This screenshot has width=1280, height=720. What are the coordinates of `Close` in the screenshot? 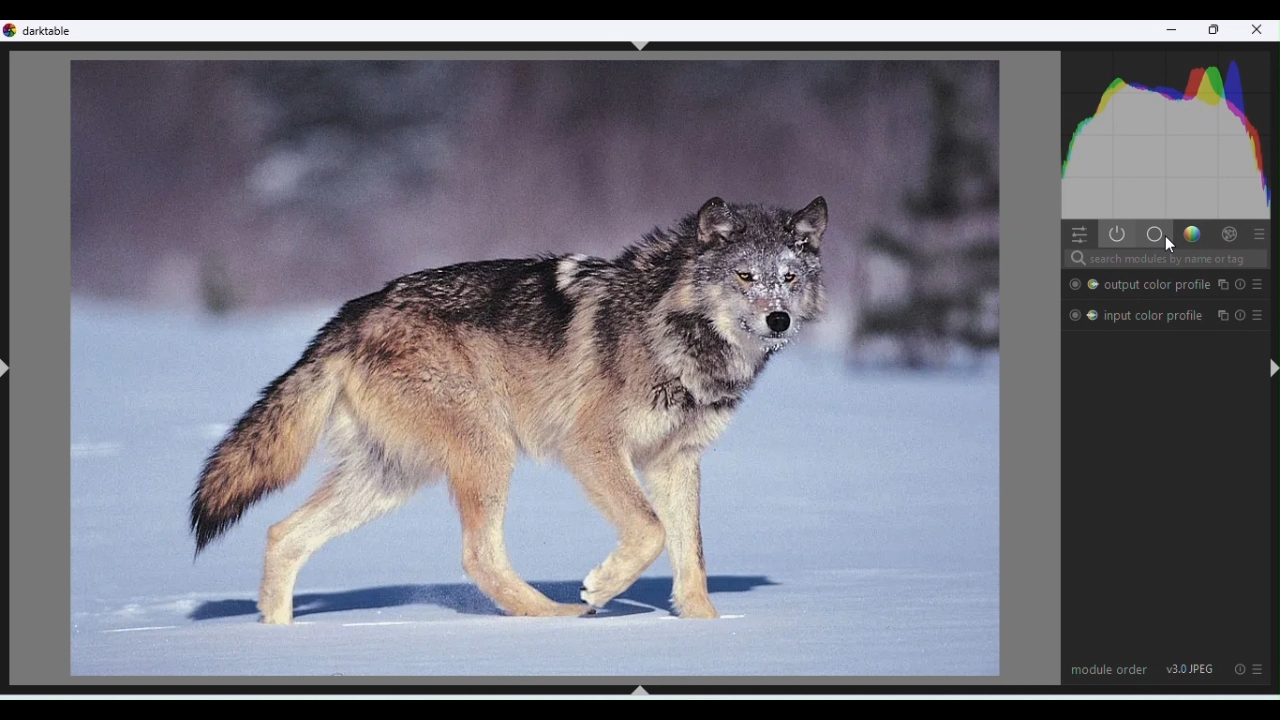 It's located at (1258, 32).